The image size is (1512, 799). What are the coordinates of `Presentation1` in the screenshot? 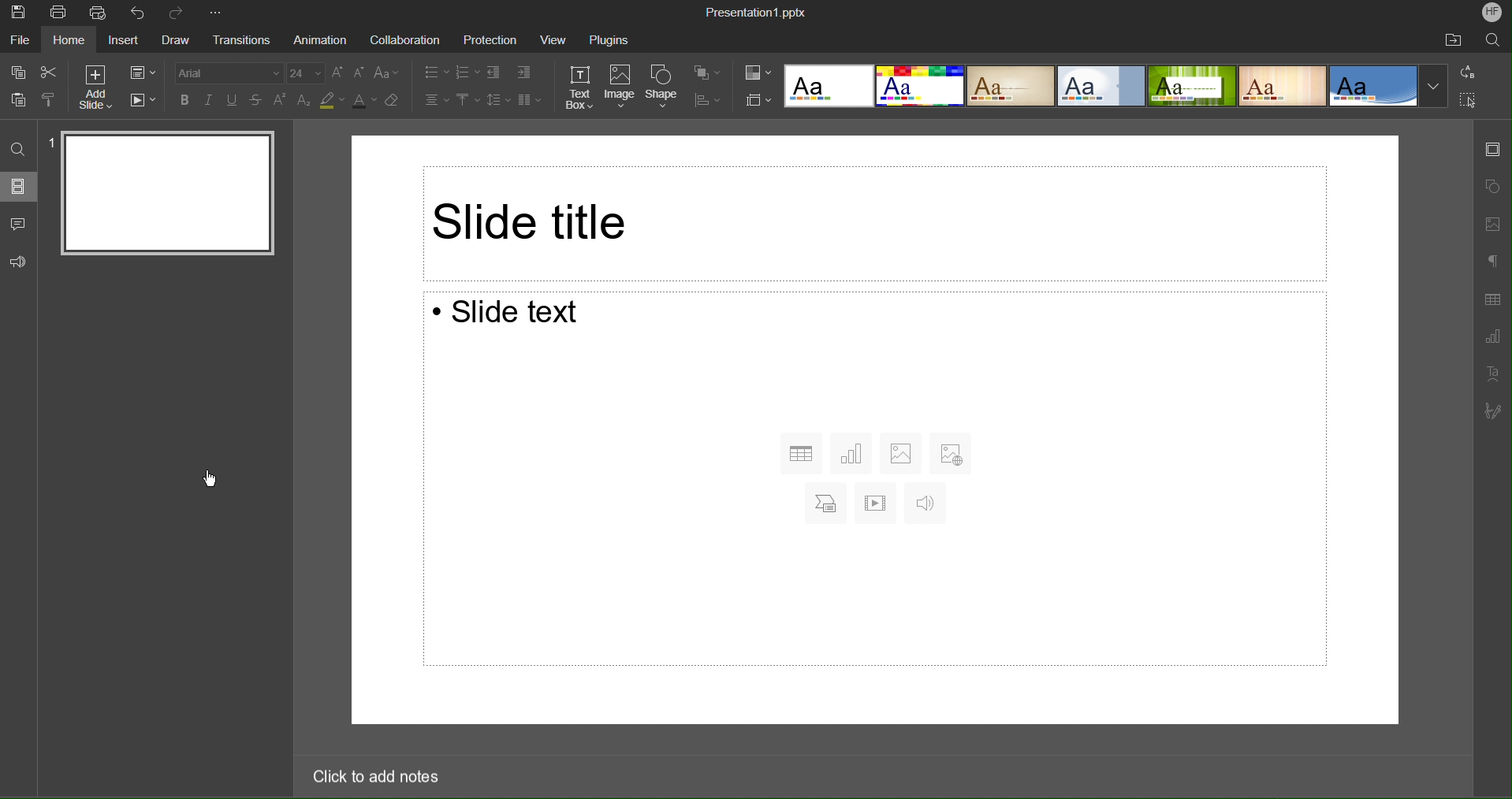 It's located at (755, 9).